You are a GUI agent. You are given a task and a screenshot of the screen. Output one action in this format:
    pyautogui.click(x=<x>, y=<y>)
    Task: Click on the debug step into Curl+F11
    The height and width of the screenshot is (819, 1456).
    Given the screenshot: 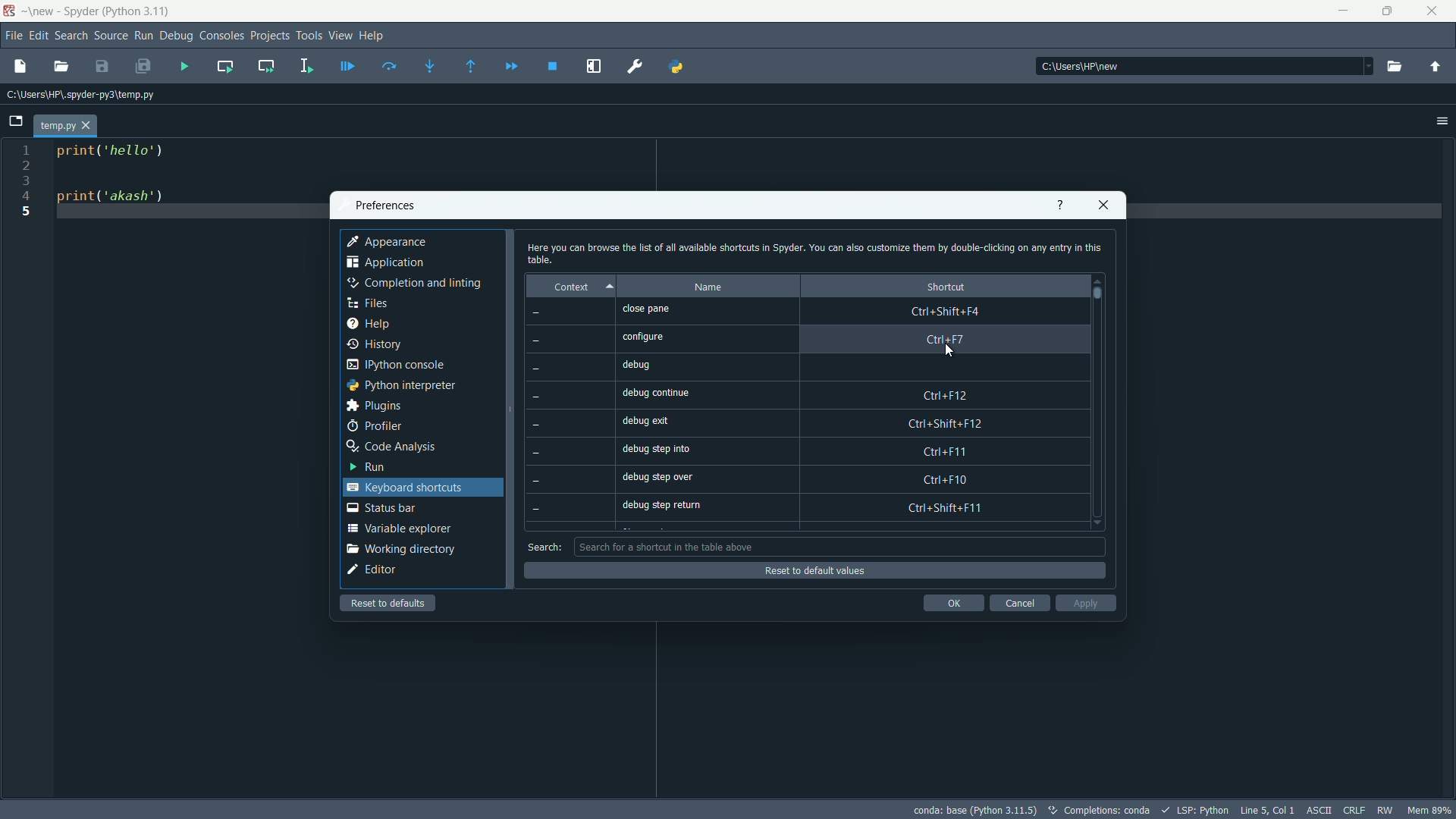 What is the action you would take?
    pyautogui.click(x=826, y=450)
    